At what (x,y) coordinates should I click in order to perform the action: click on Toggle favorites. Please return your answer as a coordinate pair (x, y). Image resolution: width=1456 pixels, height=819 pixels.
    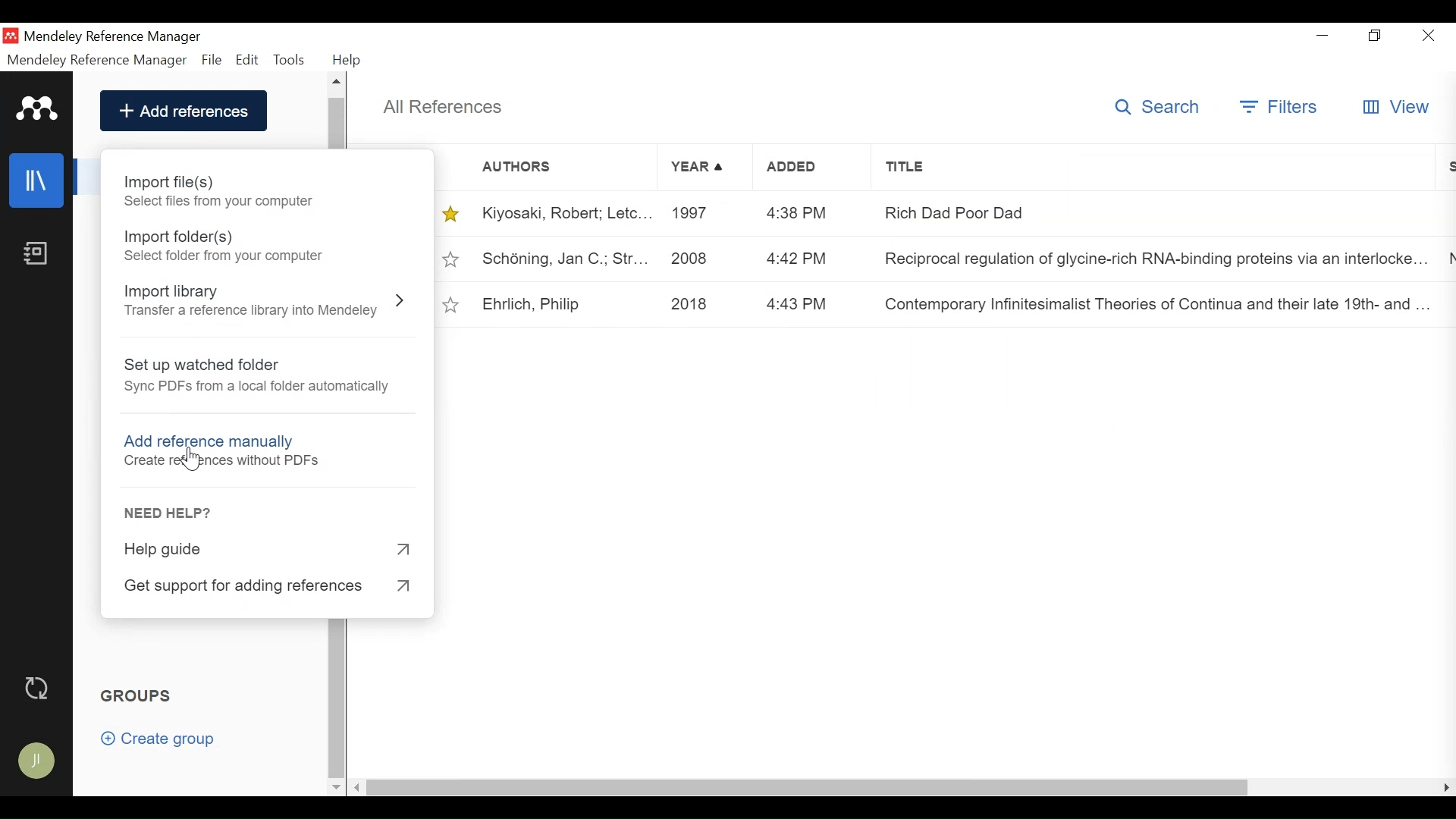
    Looking at the image, I should click on (452, 305).